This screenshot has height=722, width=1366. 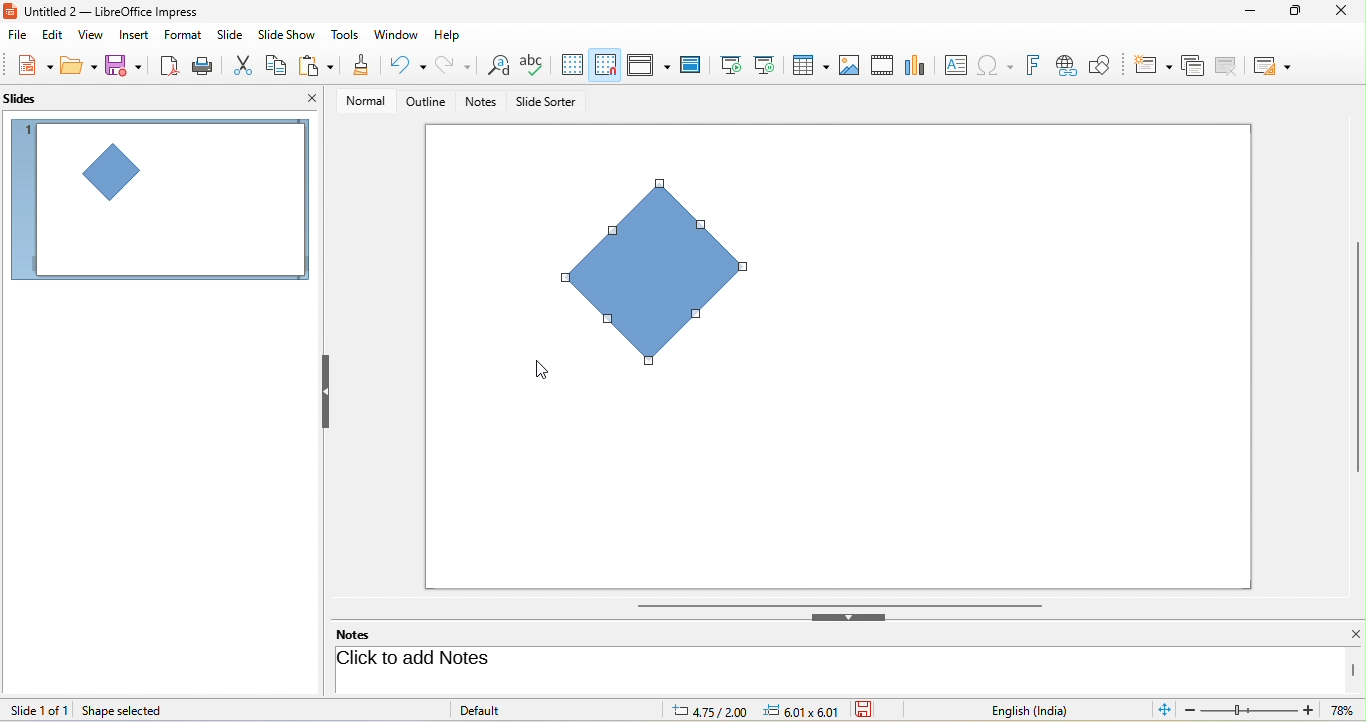 What do you see at coordinates (543, 370) in the screenshot?
I see `cursor movement` at bounding box center [543, 370].